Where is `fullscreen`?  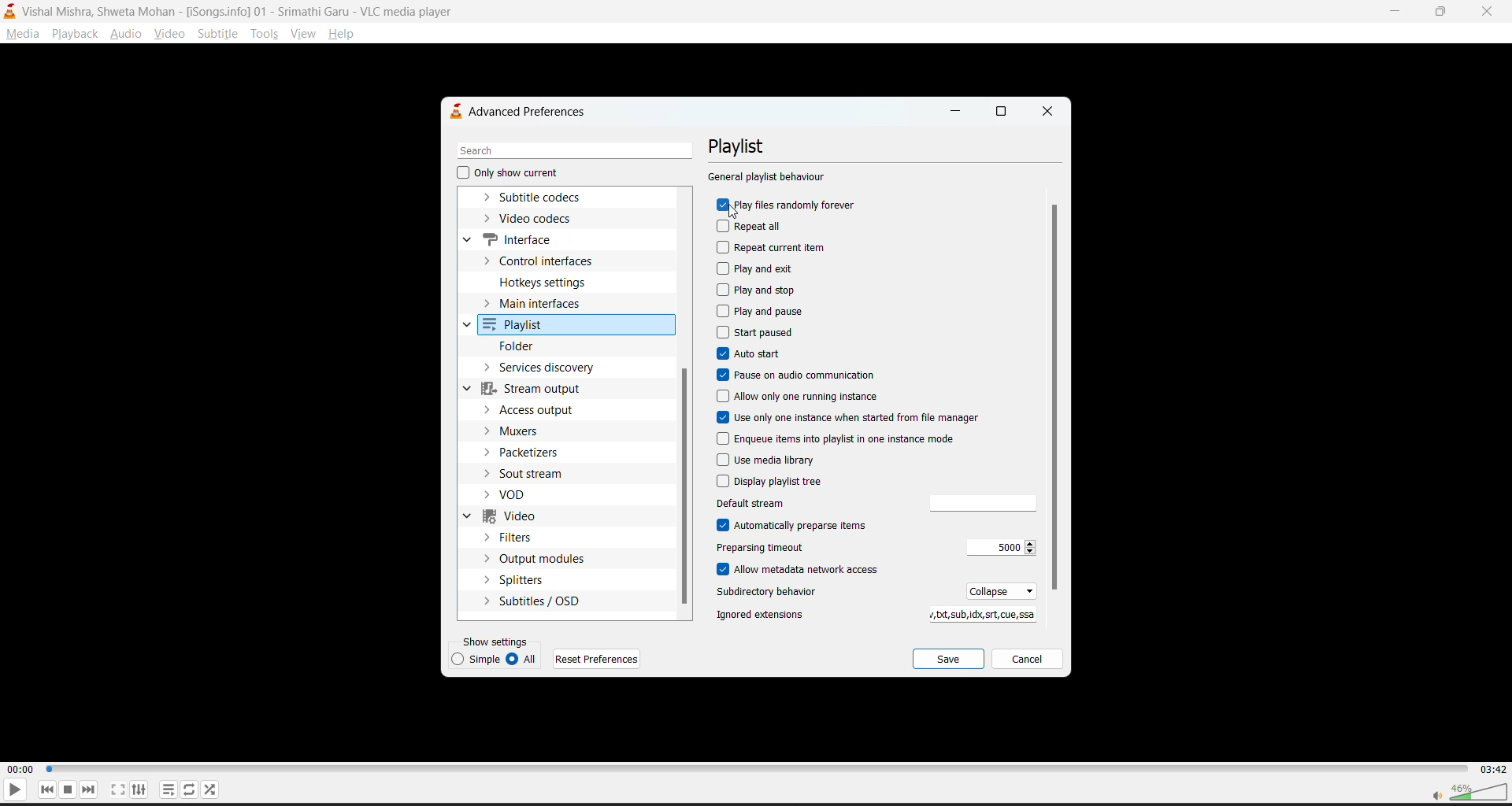 fullscreen is located at coordinates (116, 789).